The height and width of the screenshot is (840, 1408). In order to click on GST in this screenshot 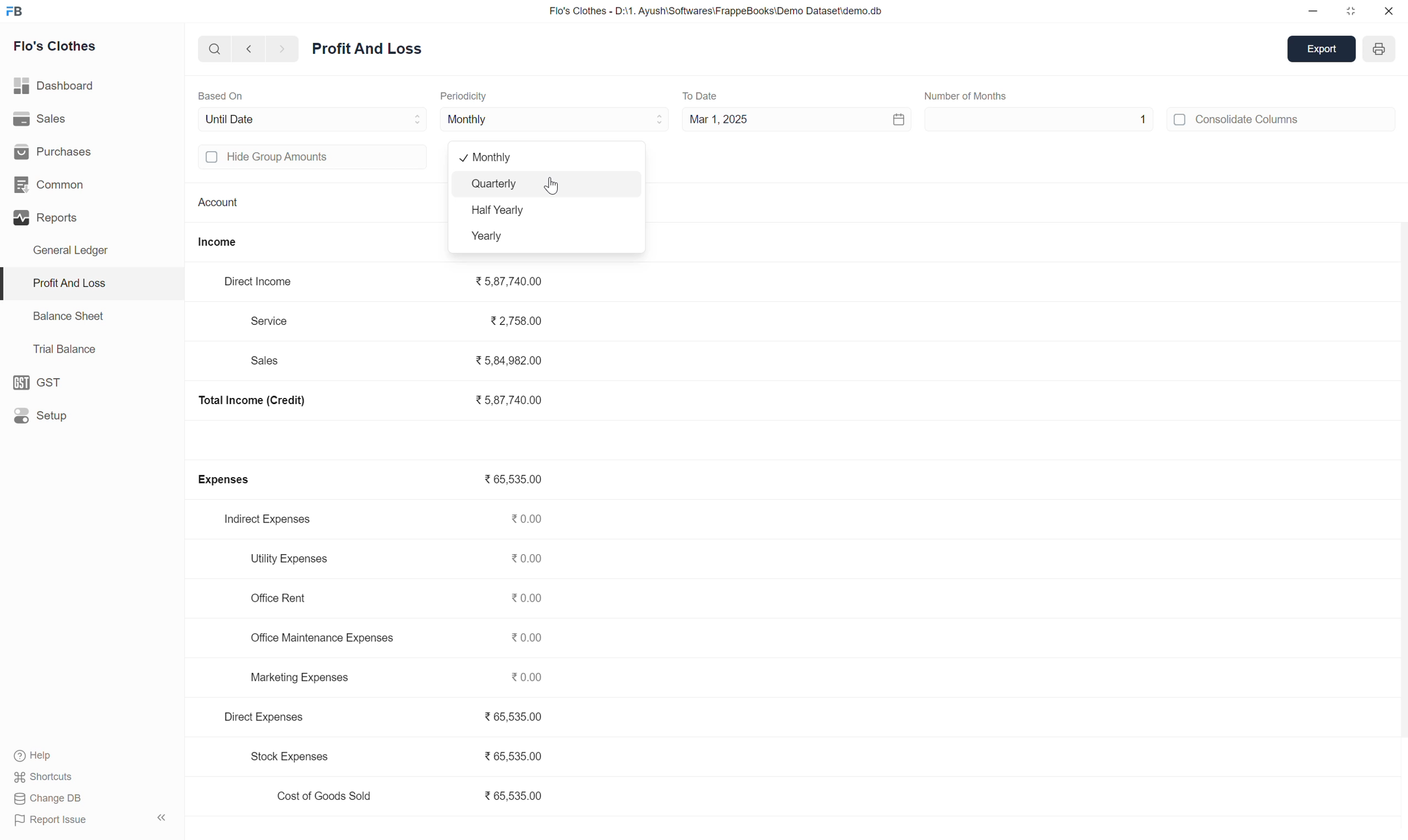, I will do `click(48, 380)`.